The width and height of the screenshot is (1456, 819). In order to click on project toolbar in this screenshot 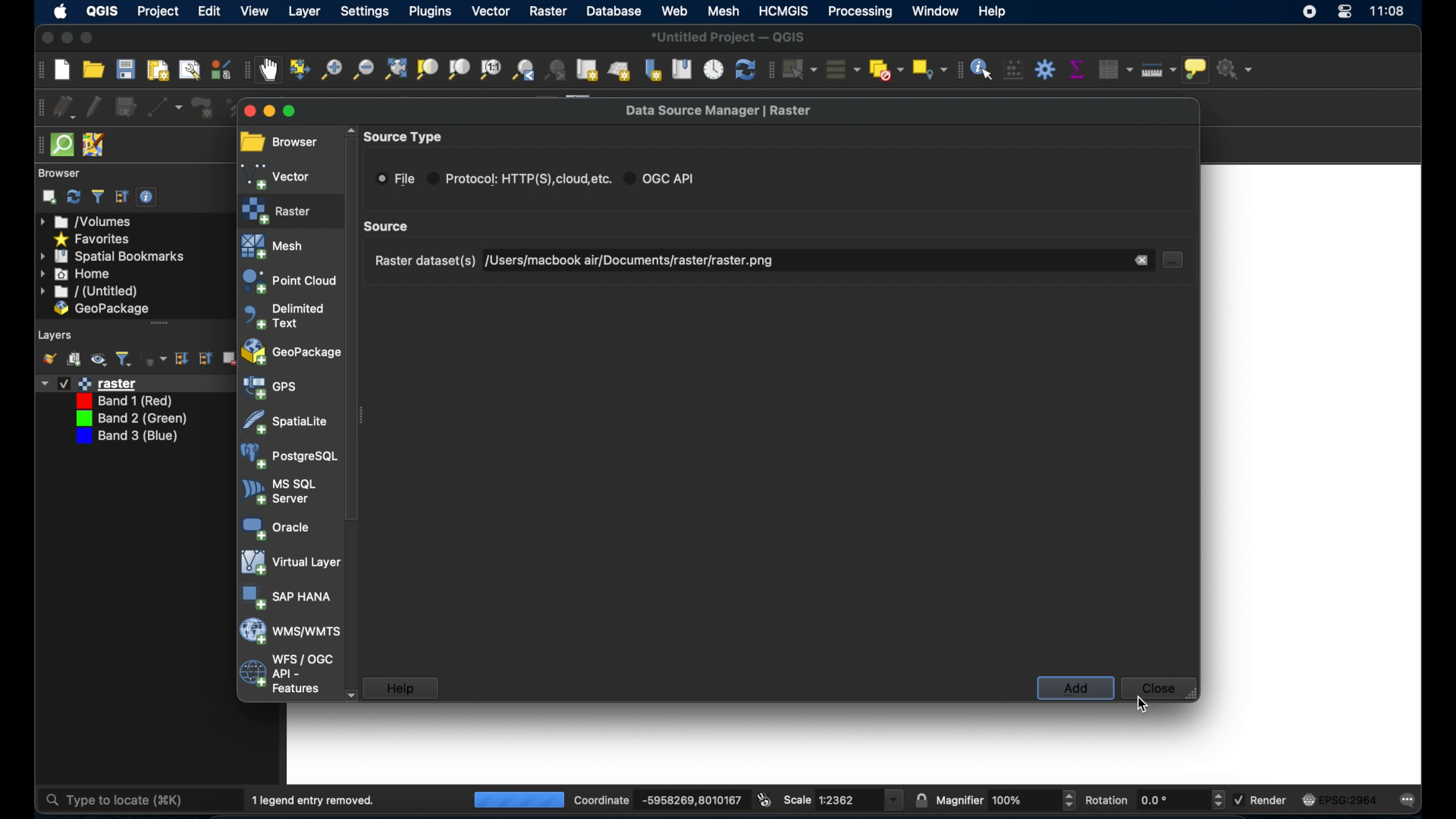, I will do `click(37, 70)`.